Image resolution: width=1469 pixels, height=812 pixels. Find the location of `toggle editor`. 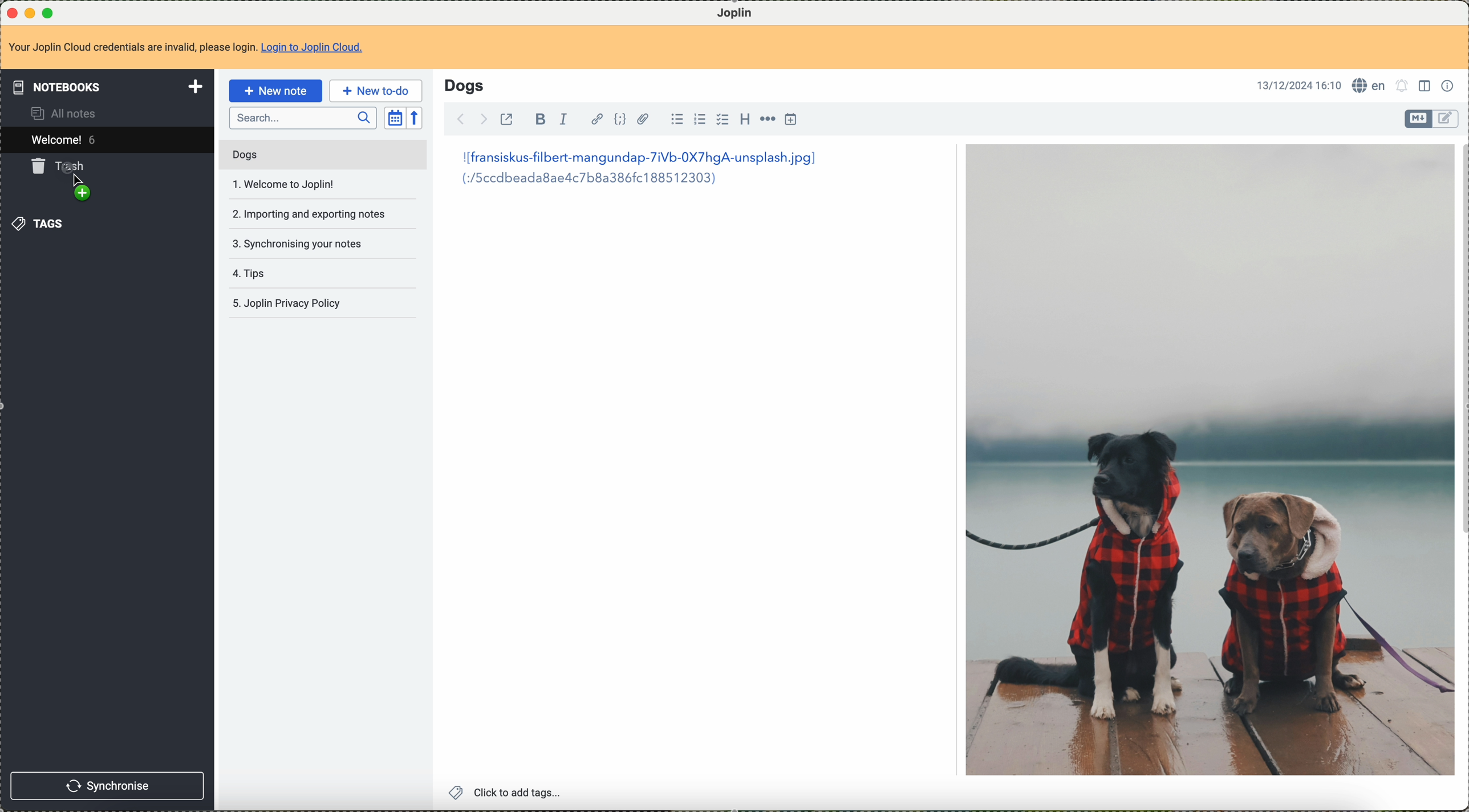

toggle editor is located at coordinates (1418, 119).